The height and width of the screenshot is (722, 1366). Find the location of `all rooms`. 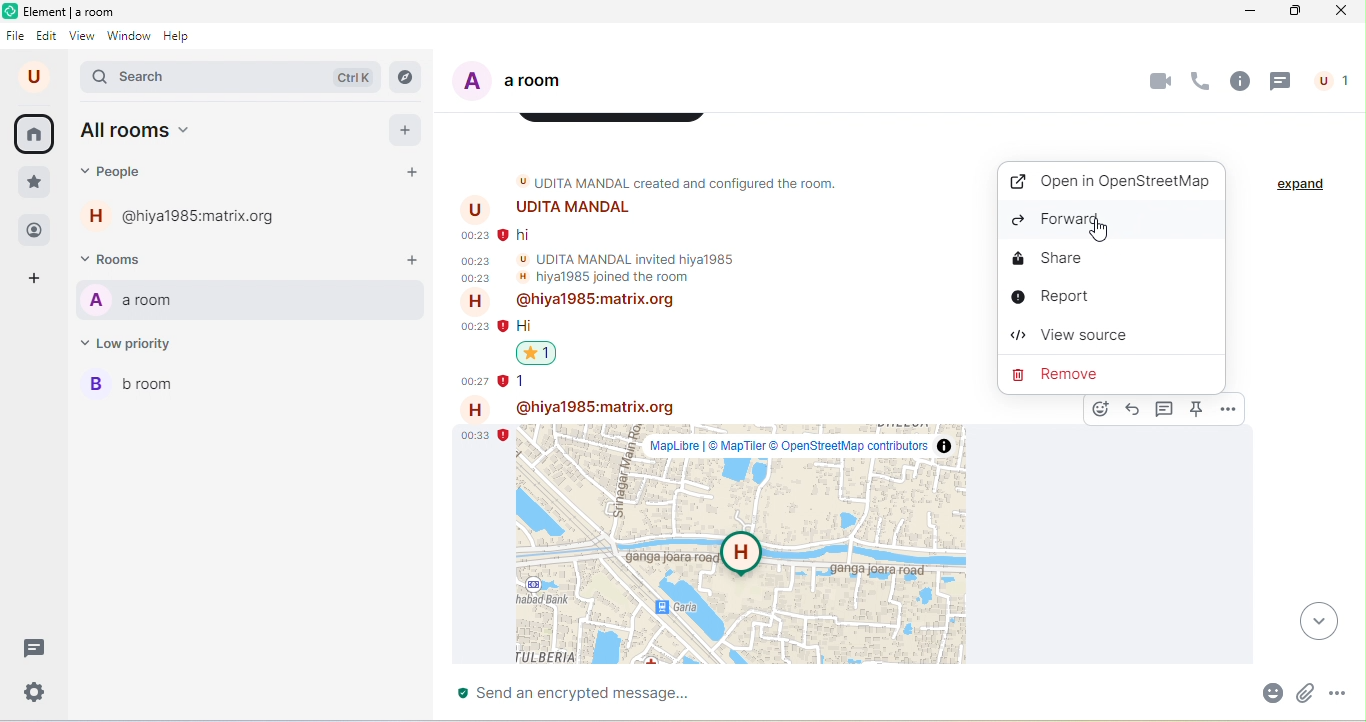

all rooms is located at coordinates (137, 132).